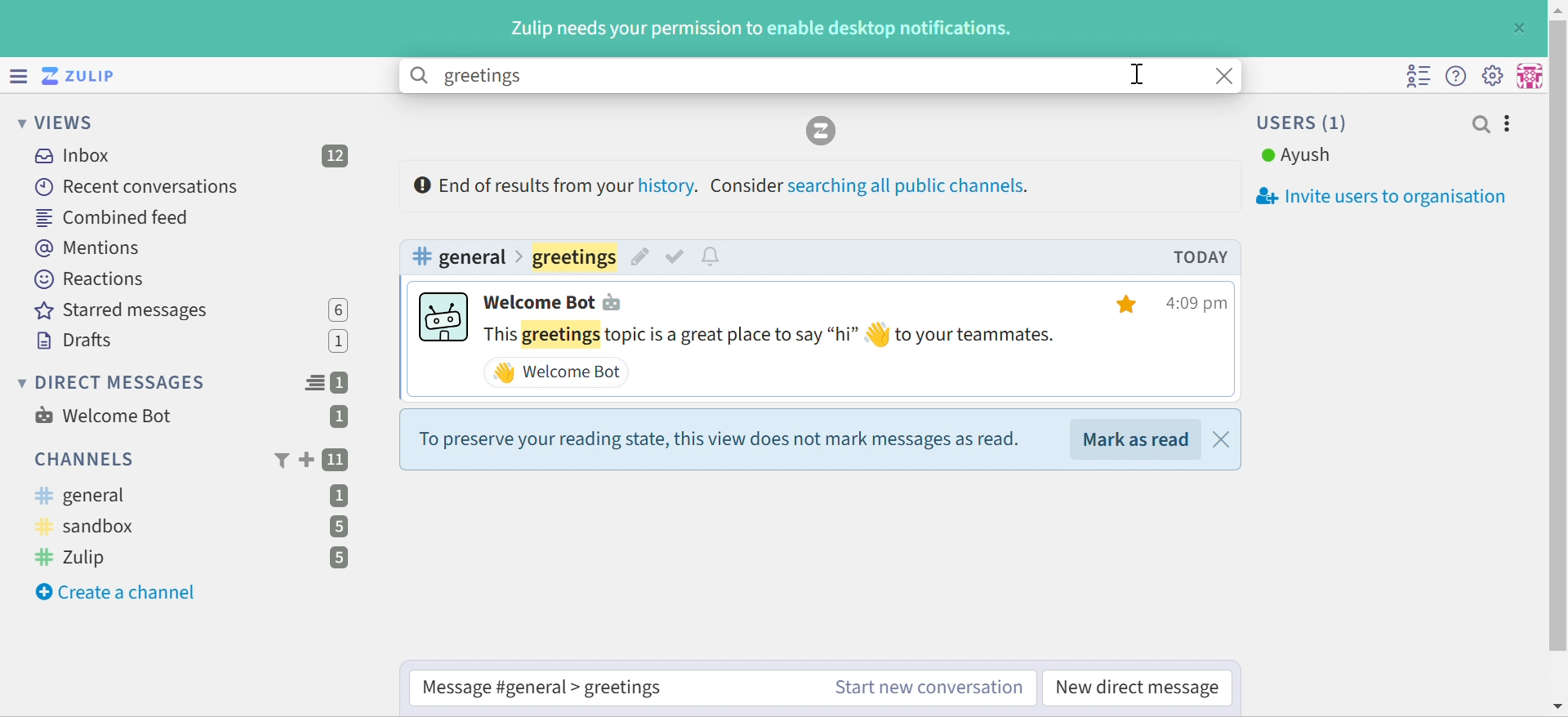 The width and height of the screenshot is (1568, 717). What do you see at coordinates (677, 257) in the screenshot?
I see `Mark as resolved` at bounding box center [677, 257].